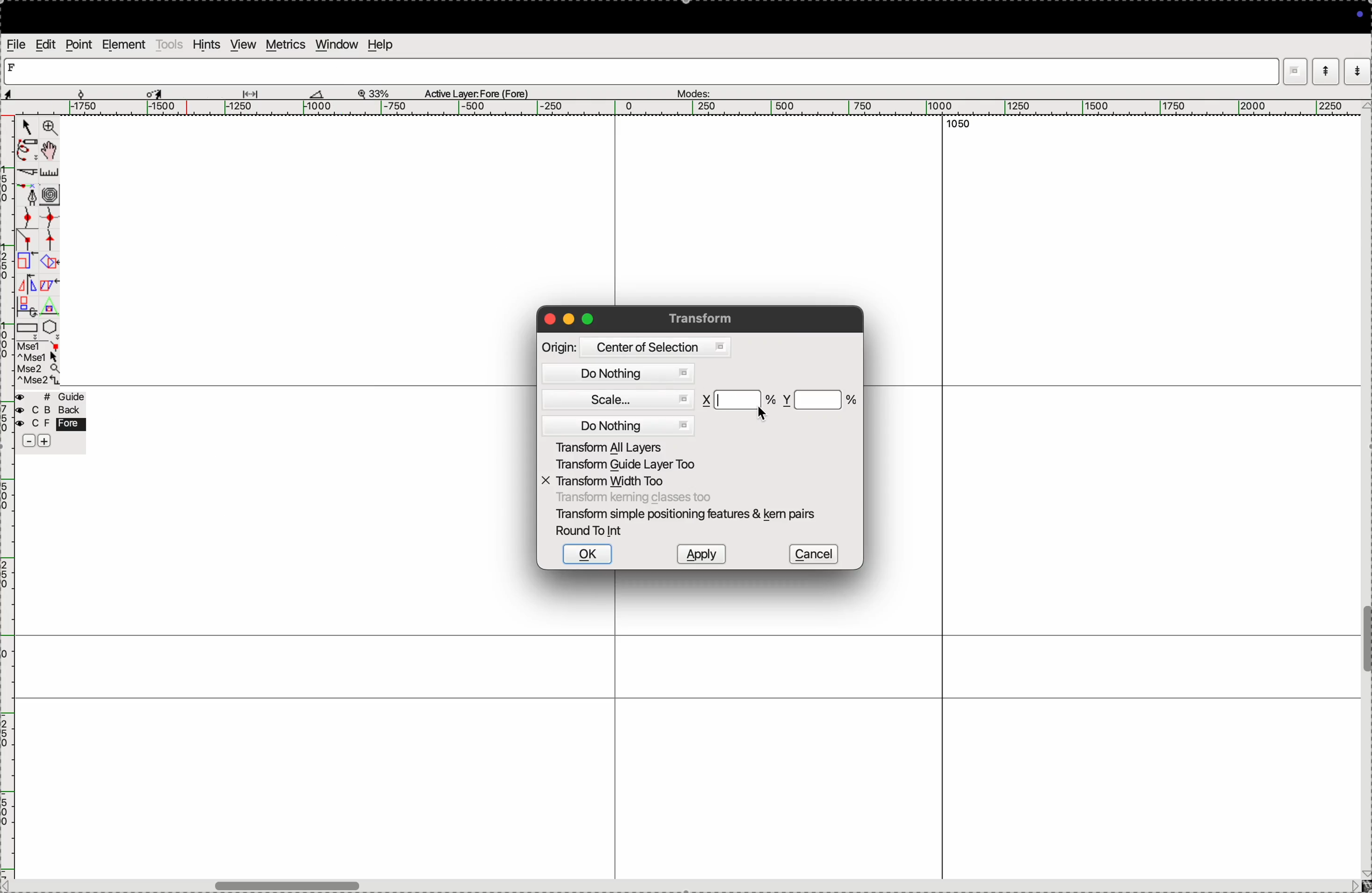  I want to click on apply, so click(700, 554).